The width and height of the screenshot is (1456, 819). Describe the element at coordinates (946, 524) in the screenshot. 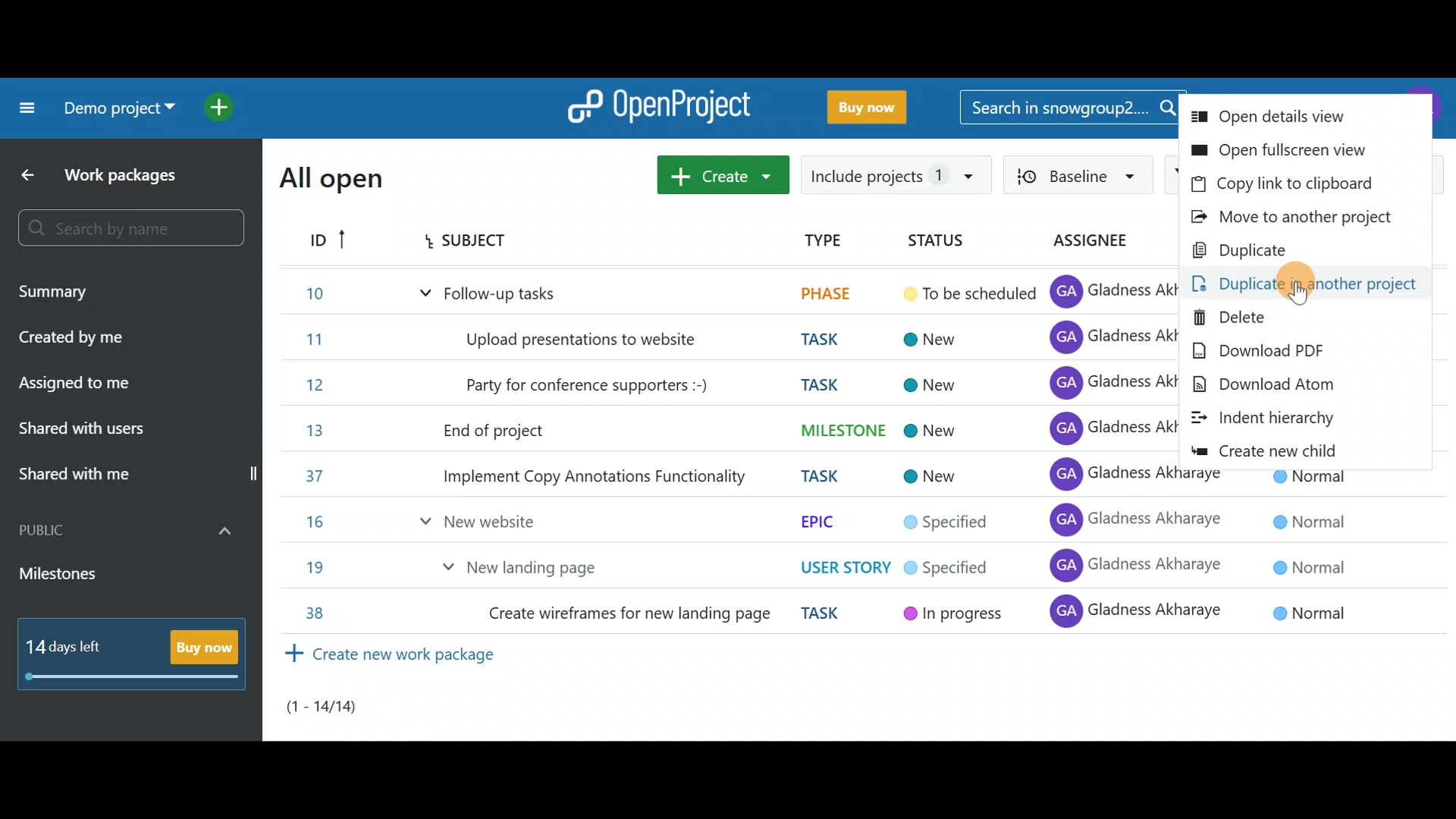

I see `Specified` at that location.